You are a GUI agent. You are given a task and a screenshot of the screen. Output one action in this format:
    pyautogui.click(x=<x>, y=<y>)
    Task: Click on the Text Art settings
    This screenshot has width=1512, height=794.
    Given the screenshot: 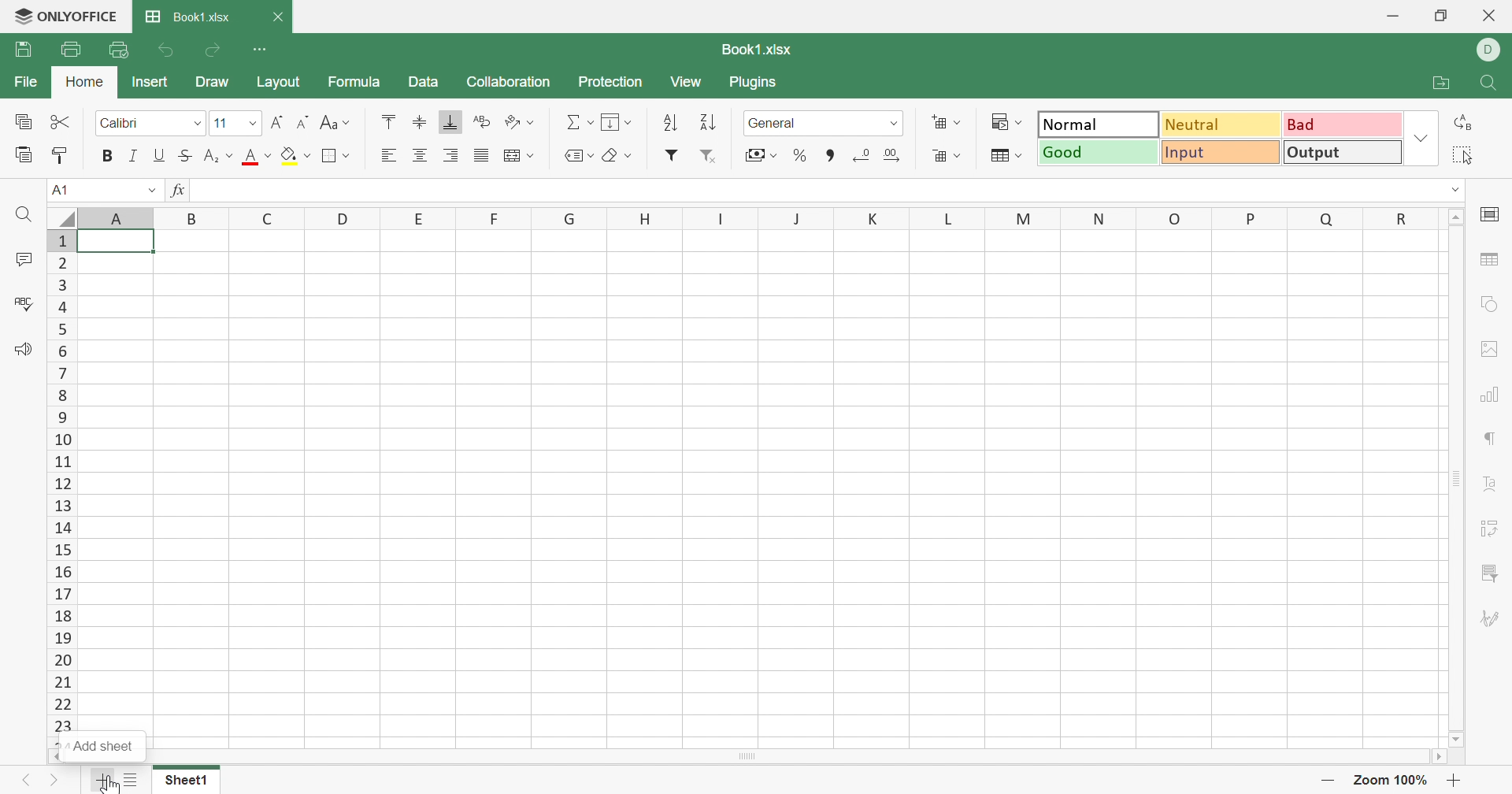 What is the action you would take?
    pyautogui.click(x=1488, y=481)
    